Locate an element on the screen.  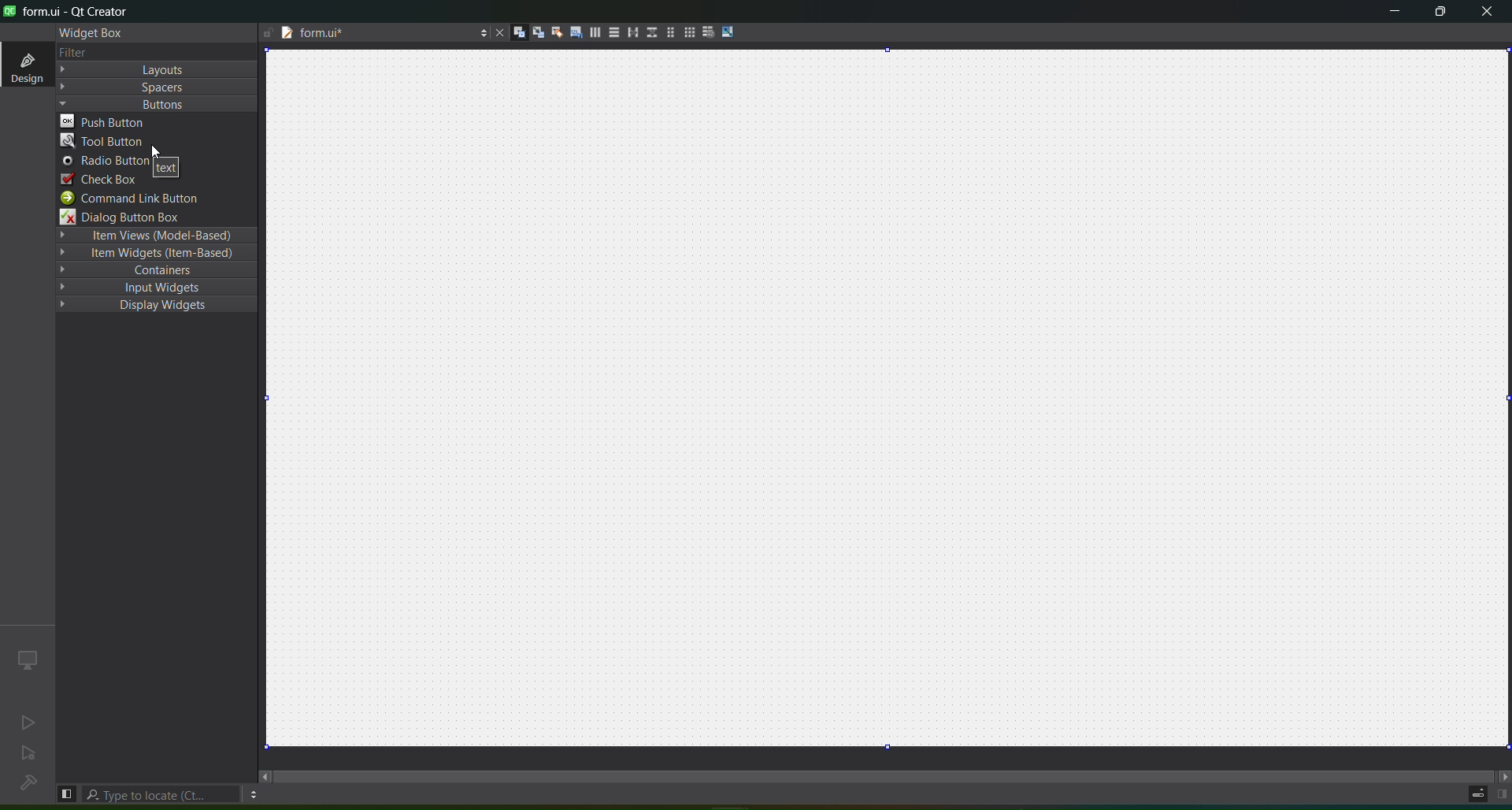
edit signal slots is located at coordinates (534, 30).